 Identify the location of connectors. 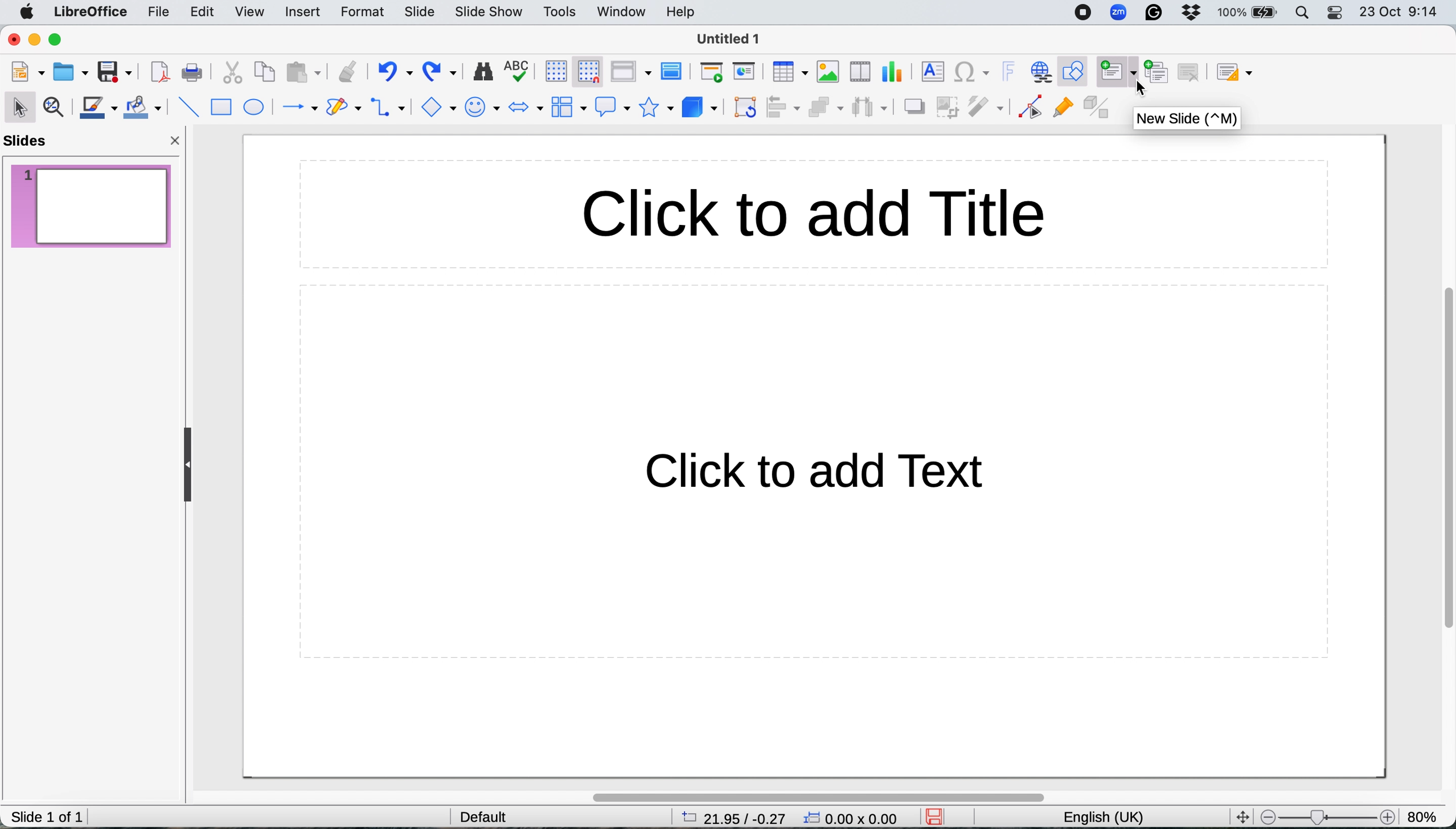
(392, 107).